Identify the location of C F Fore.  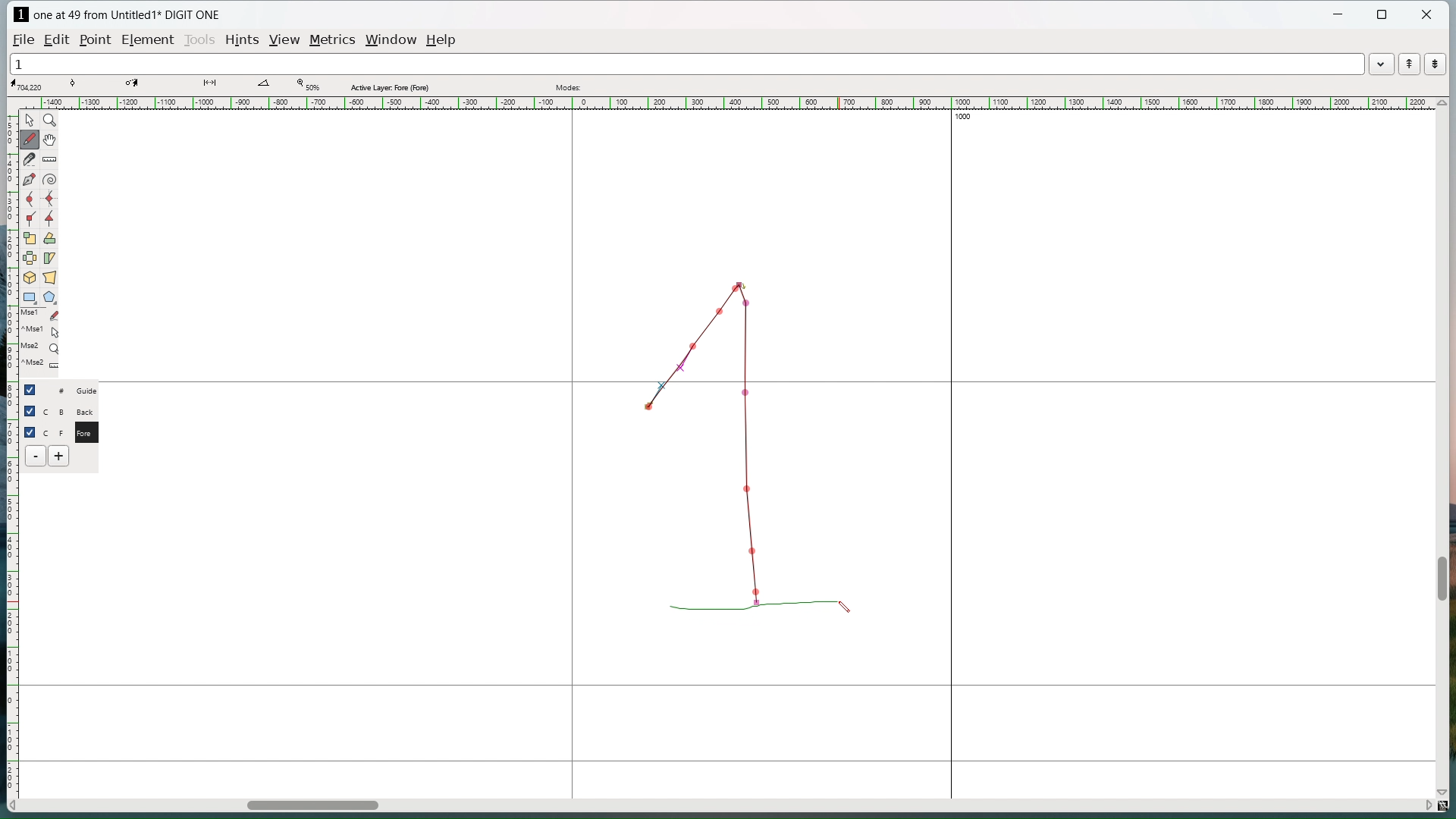
(72, 431).